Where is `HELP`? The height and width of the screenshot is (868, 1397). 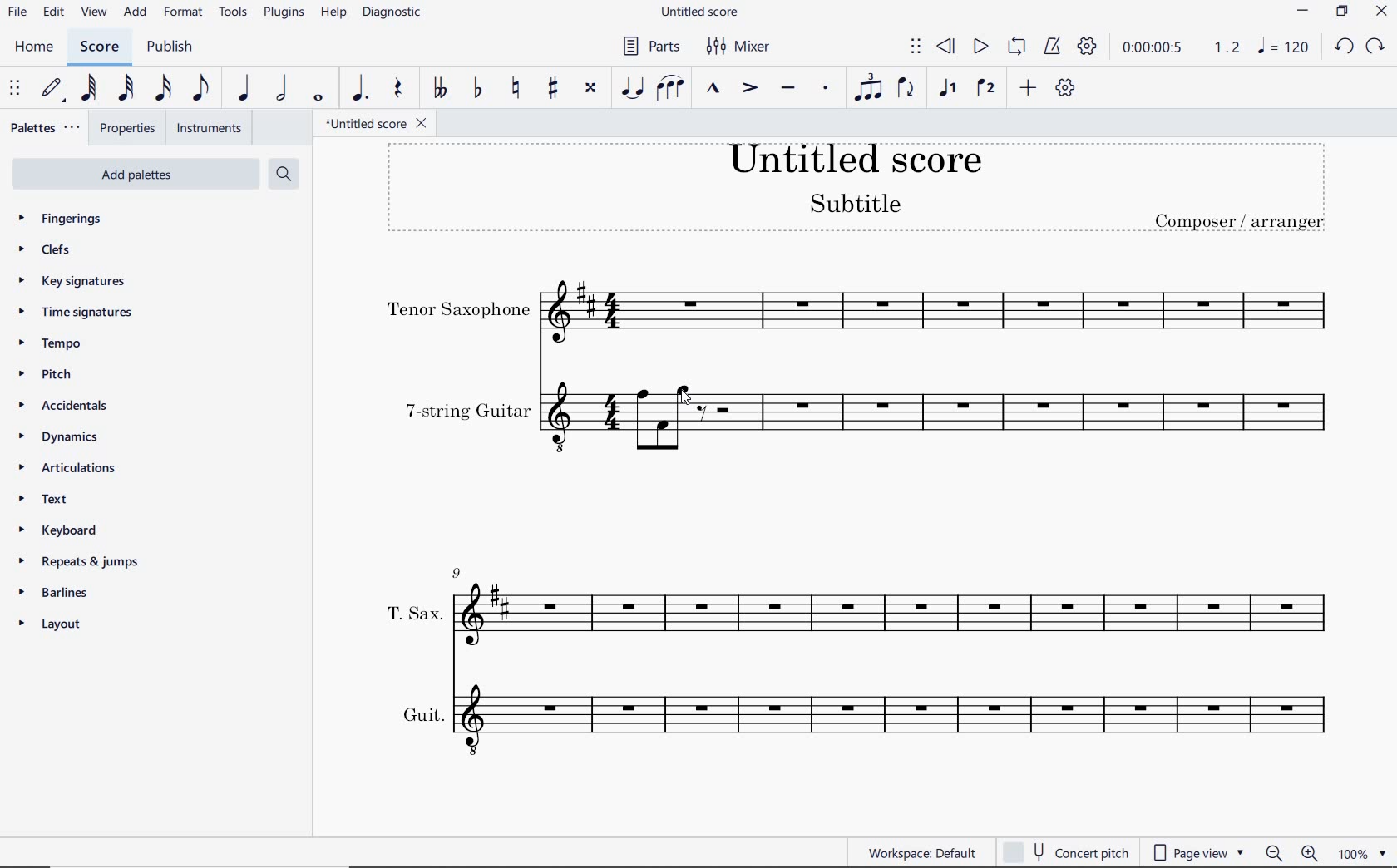
HELP is located at coordinates (331, 13).